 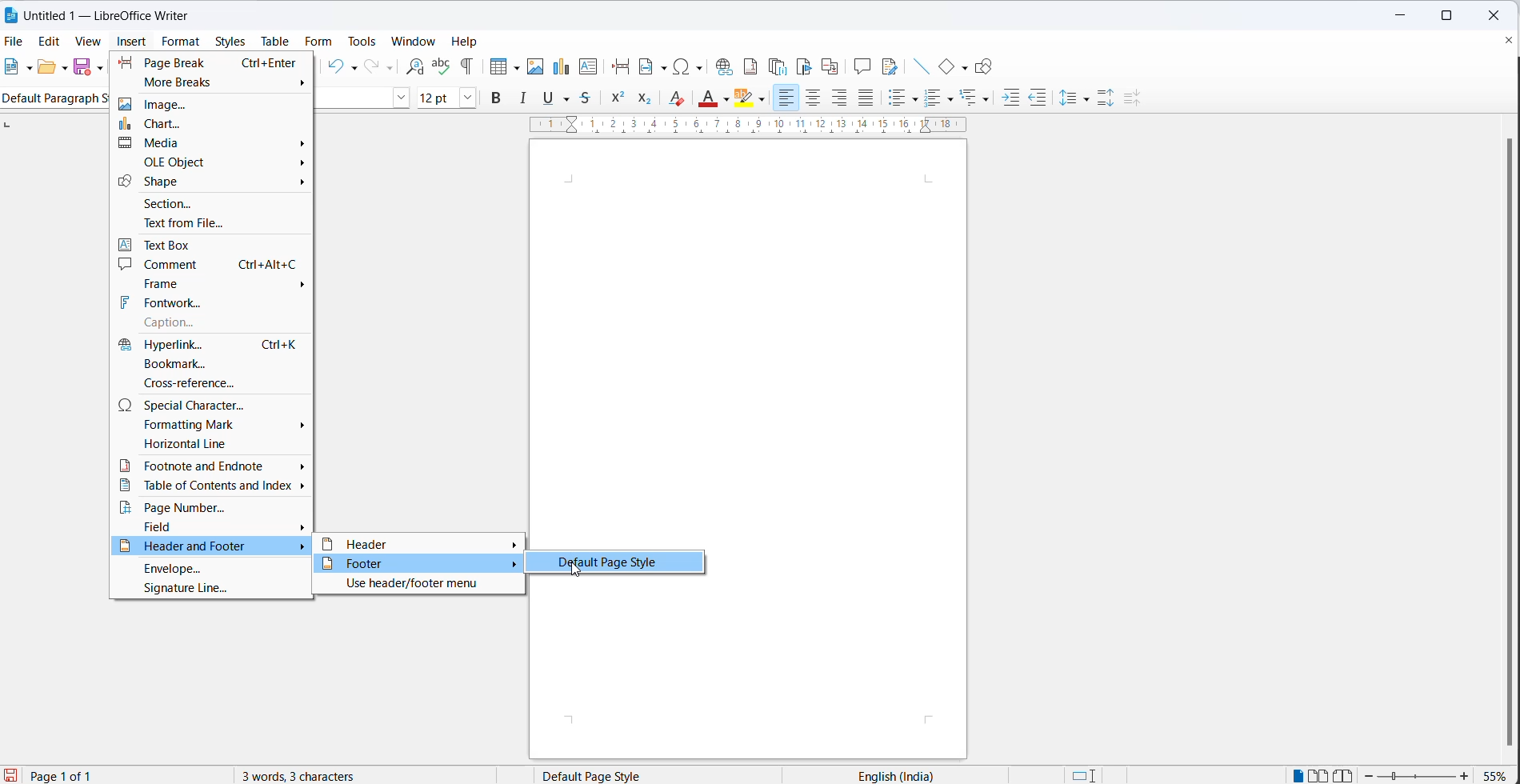 I want to click on insert footnote, so click(x=752, y=66).